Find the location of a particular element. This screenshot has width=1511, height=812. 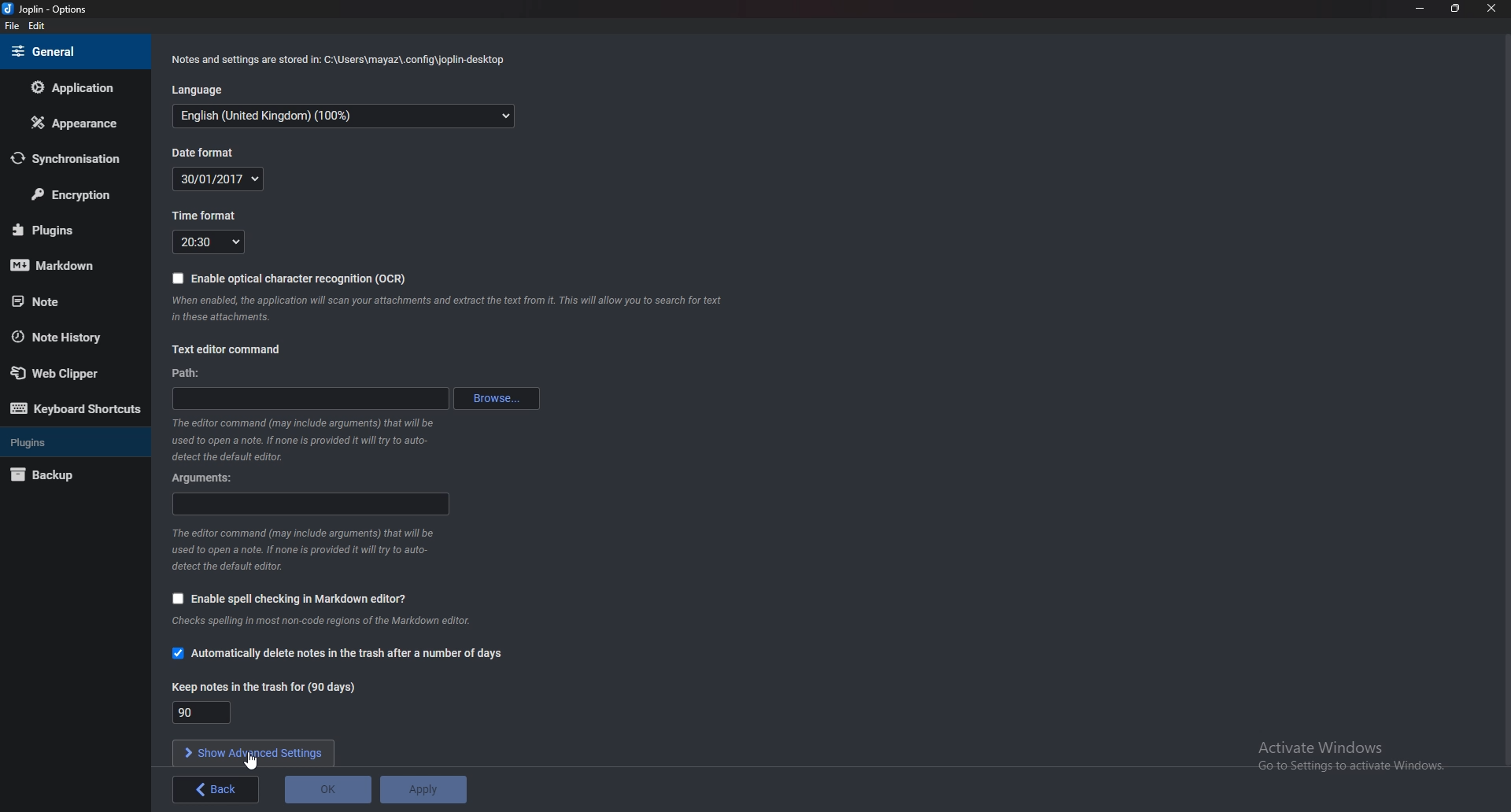

Scroll bar is located at coordinates (1506, 400).